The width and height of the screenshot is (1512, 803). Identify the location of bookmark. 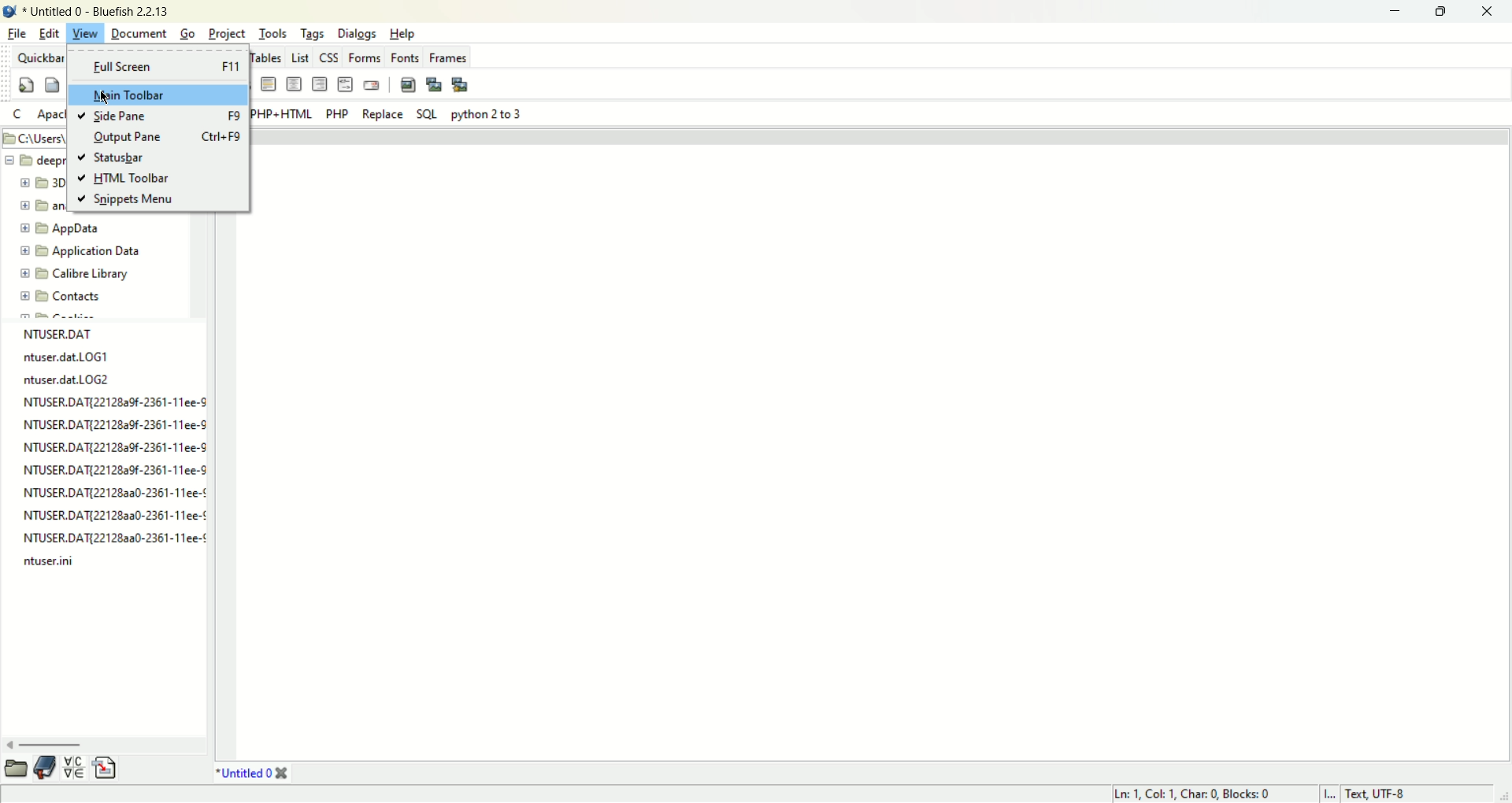
(48, 768).